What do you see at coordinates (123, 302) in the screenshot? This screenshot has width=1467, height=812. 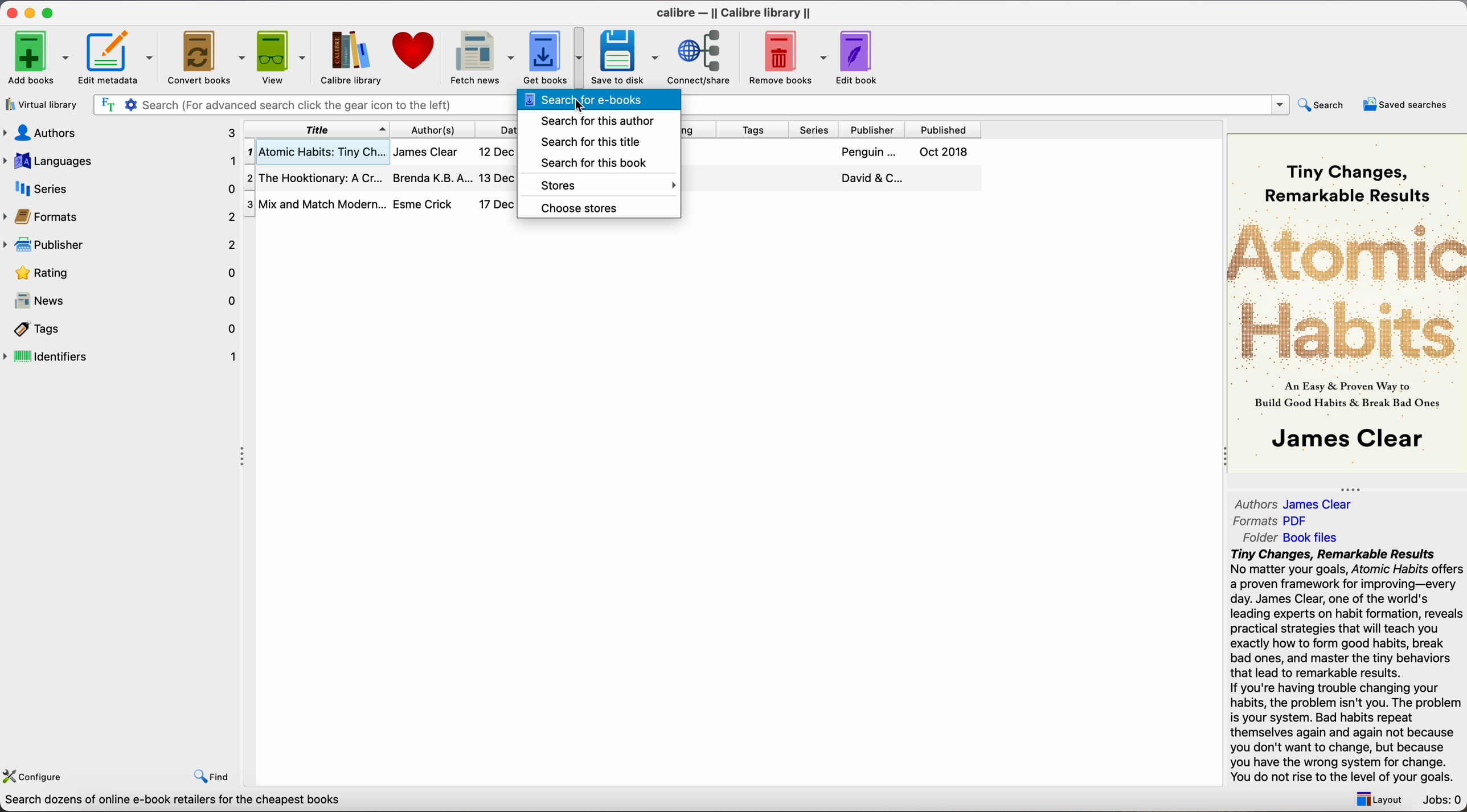 I see `news` at bounding box center [123, 302].